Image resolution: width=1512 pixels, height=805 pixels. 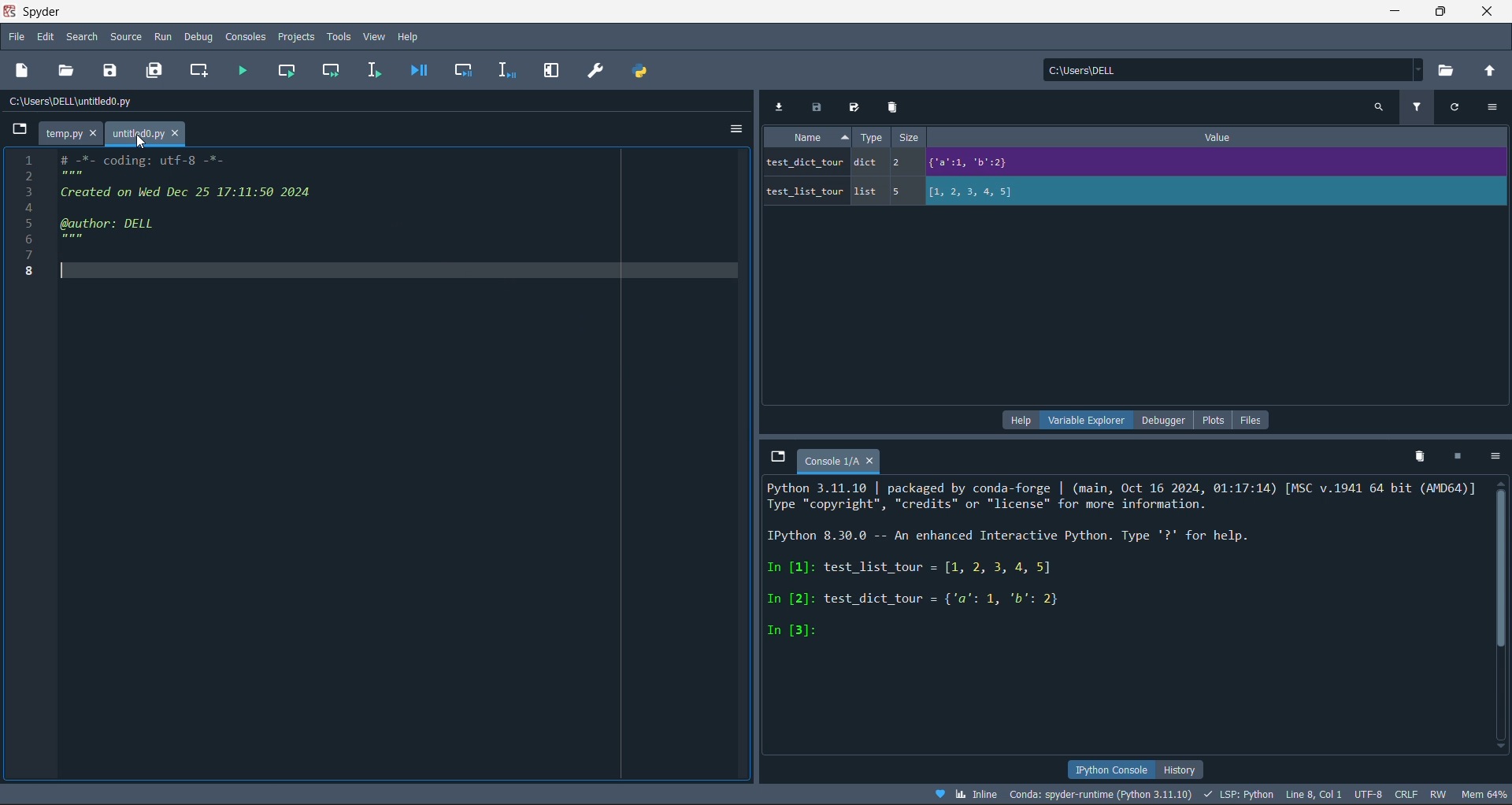 What do you see at coordinates (1404, 794) in the screenshot?
I see `CRLF` at bounding box center [1404, 794].